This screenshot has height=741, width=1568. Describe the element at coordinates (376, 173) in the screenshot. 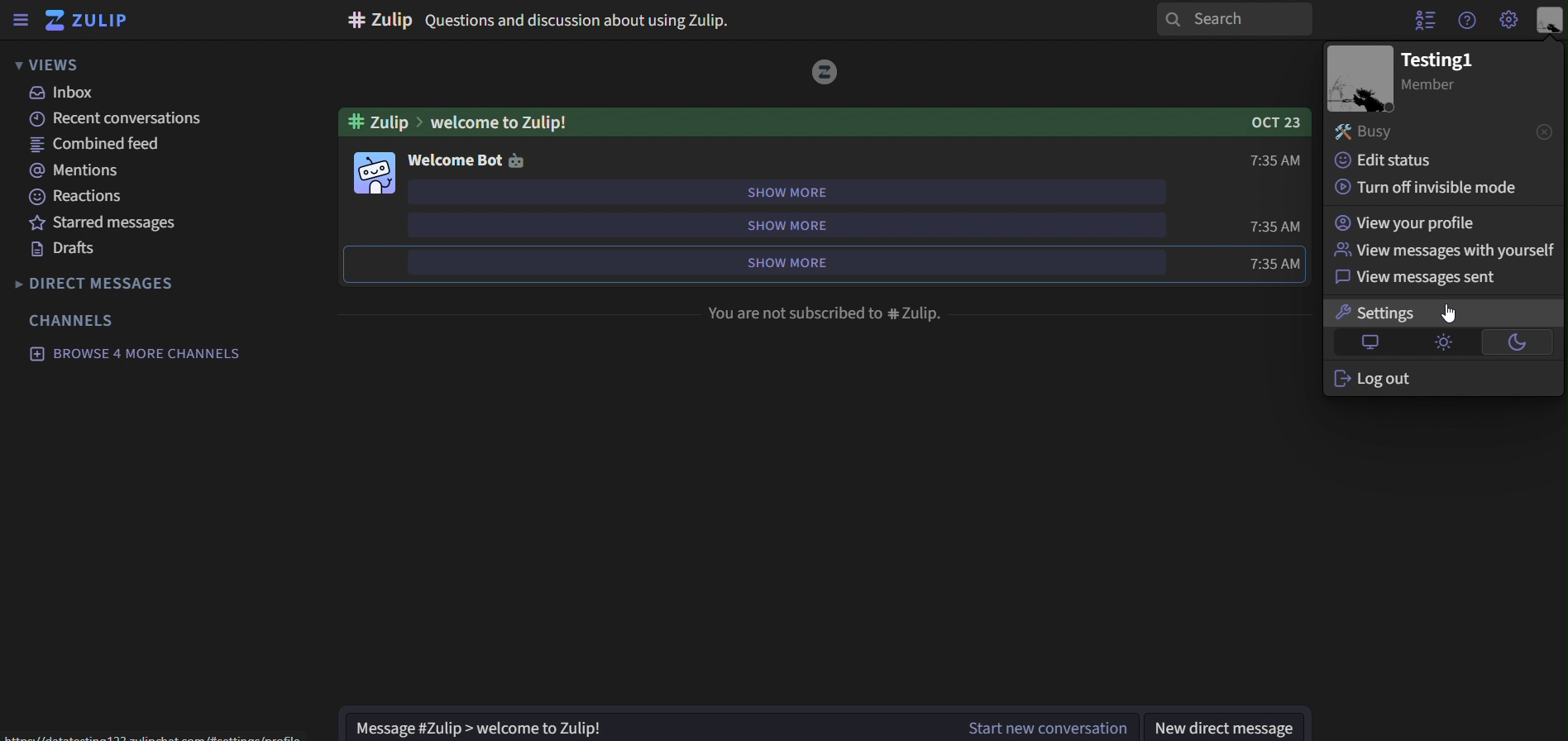

I see `image` at that location.